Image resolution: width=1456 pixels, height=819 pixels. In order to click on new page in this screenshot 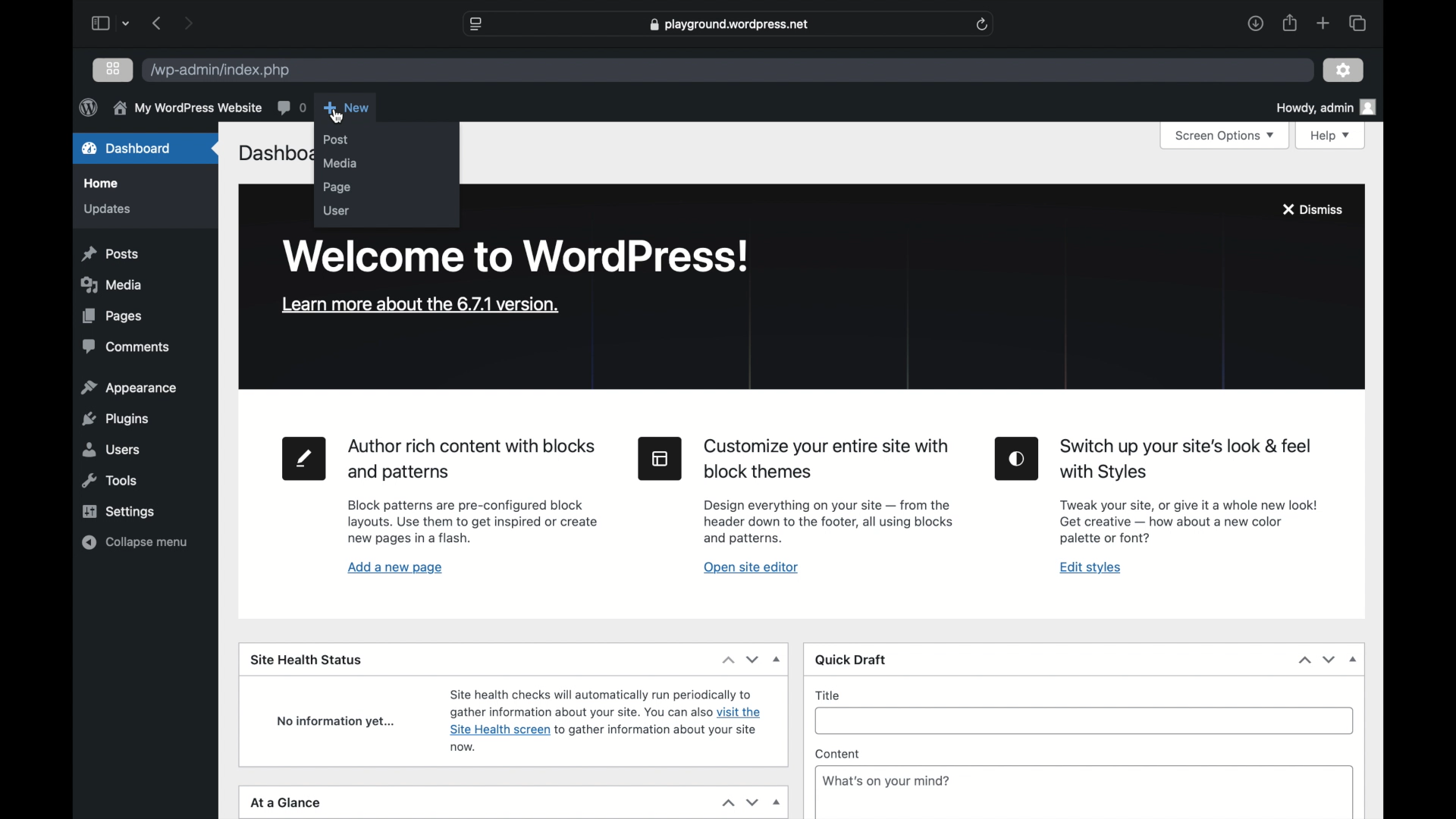, I will do `click(304, 460)`.